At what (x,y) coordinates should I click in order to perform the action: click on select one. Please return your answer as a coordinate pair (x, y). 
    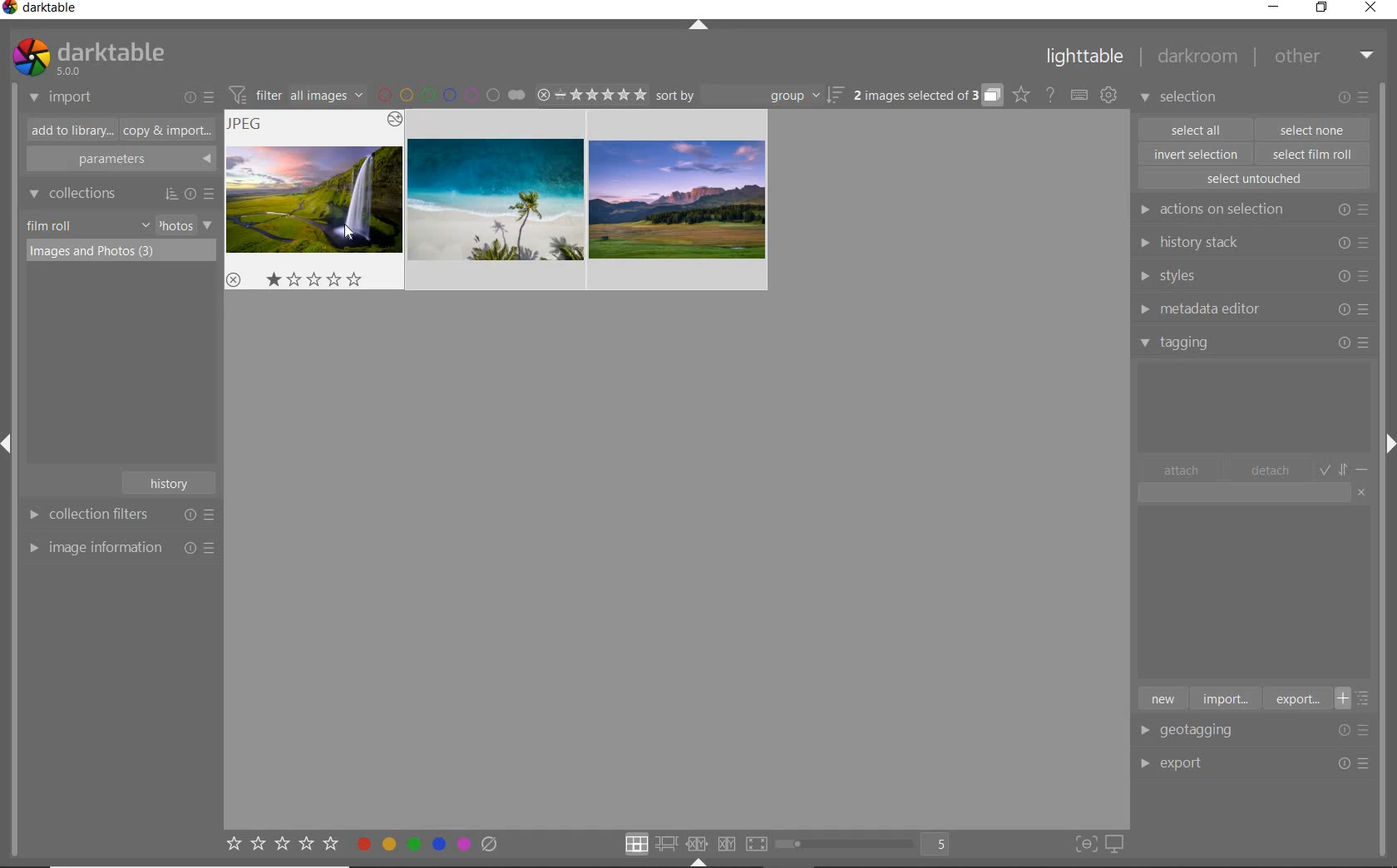
    Looking at the image, I should click on (1312, 129).